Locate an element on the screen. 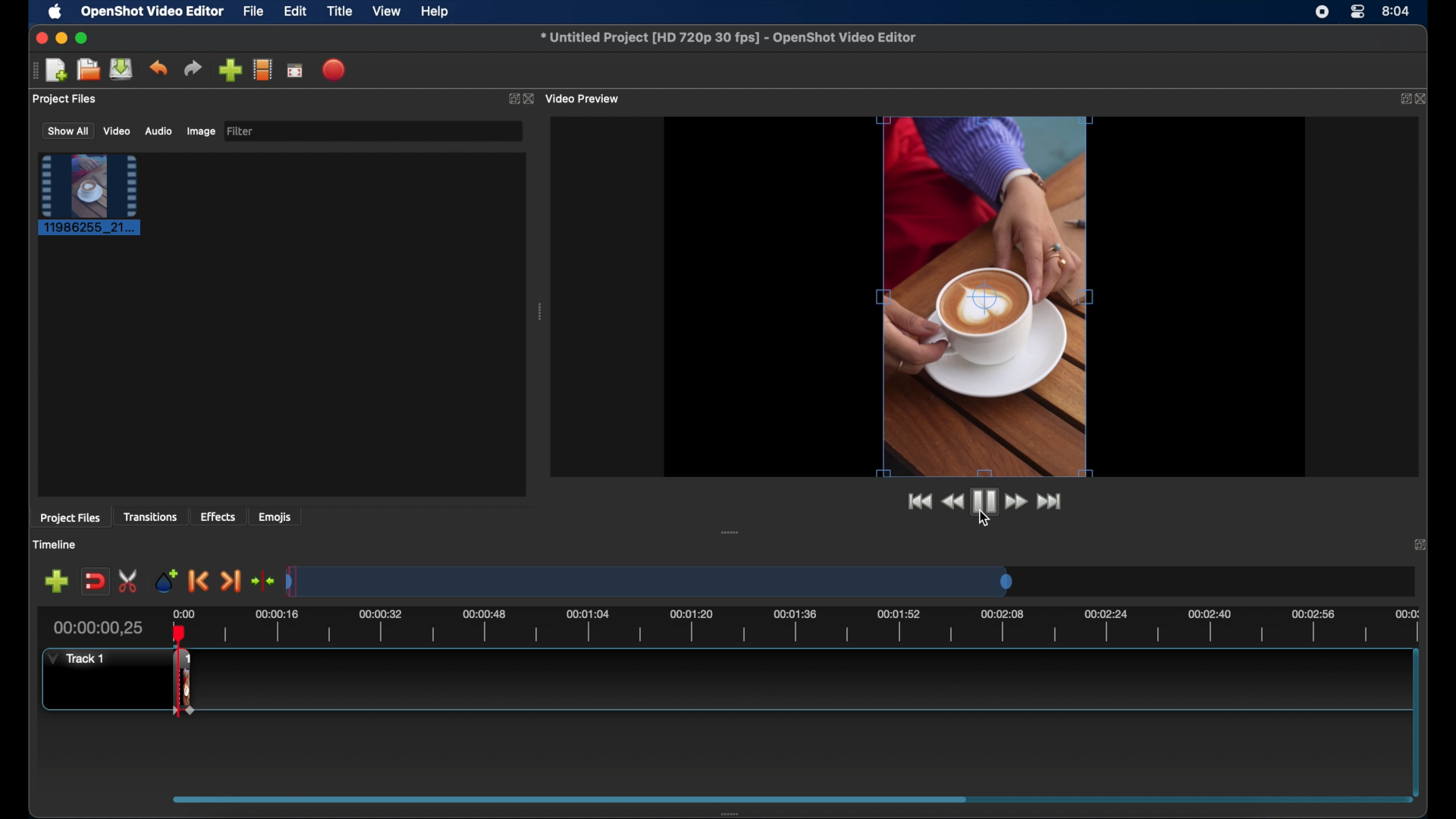 The width and height of the screenshot is (1456, 819). image is located at coordinates (200, 131).